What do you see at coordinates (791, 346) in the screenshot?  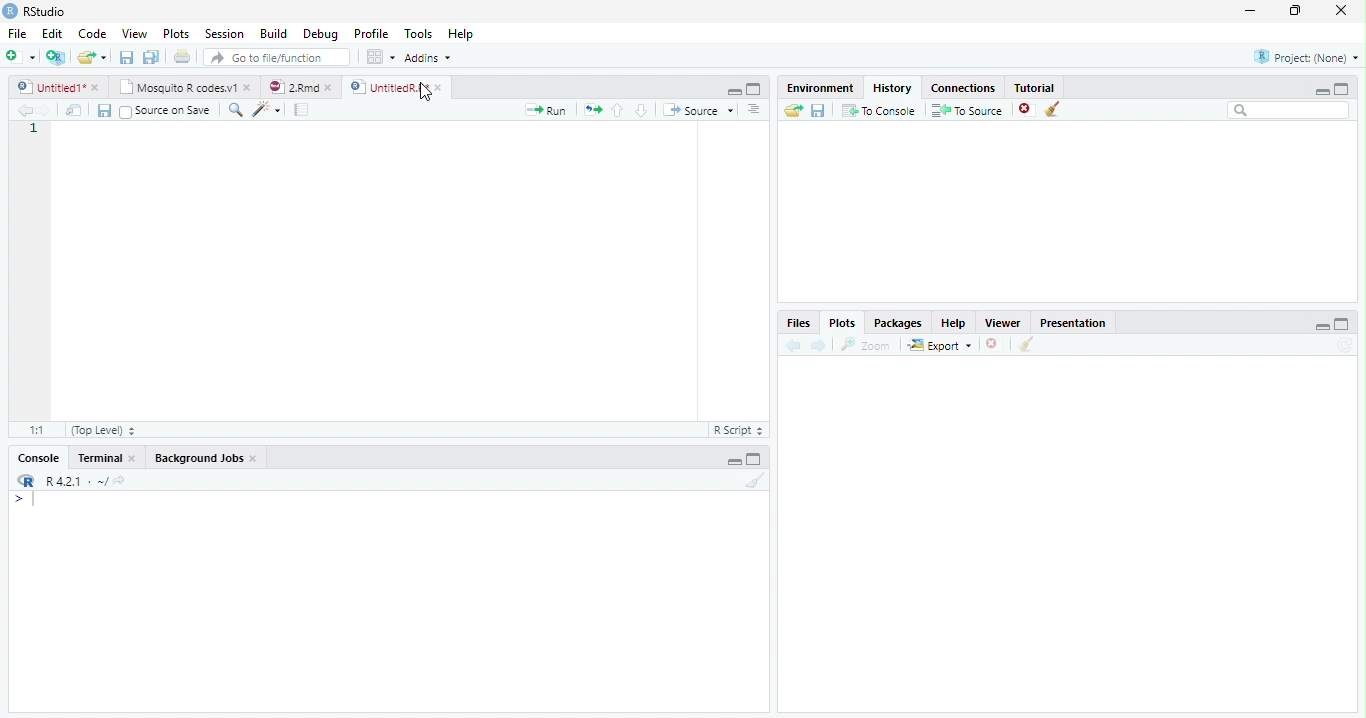 I see `back` at bounding box center [791, 346].